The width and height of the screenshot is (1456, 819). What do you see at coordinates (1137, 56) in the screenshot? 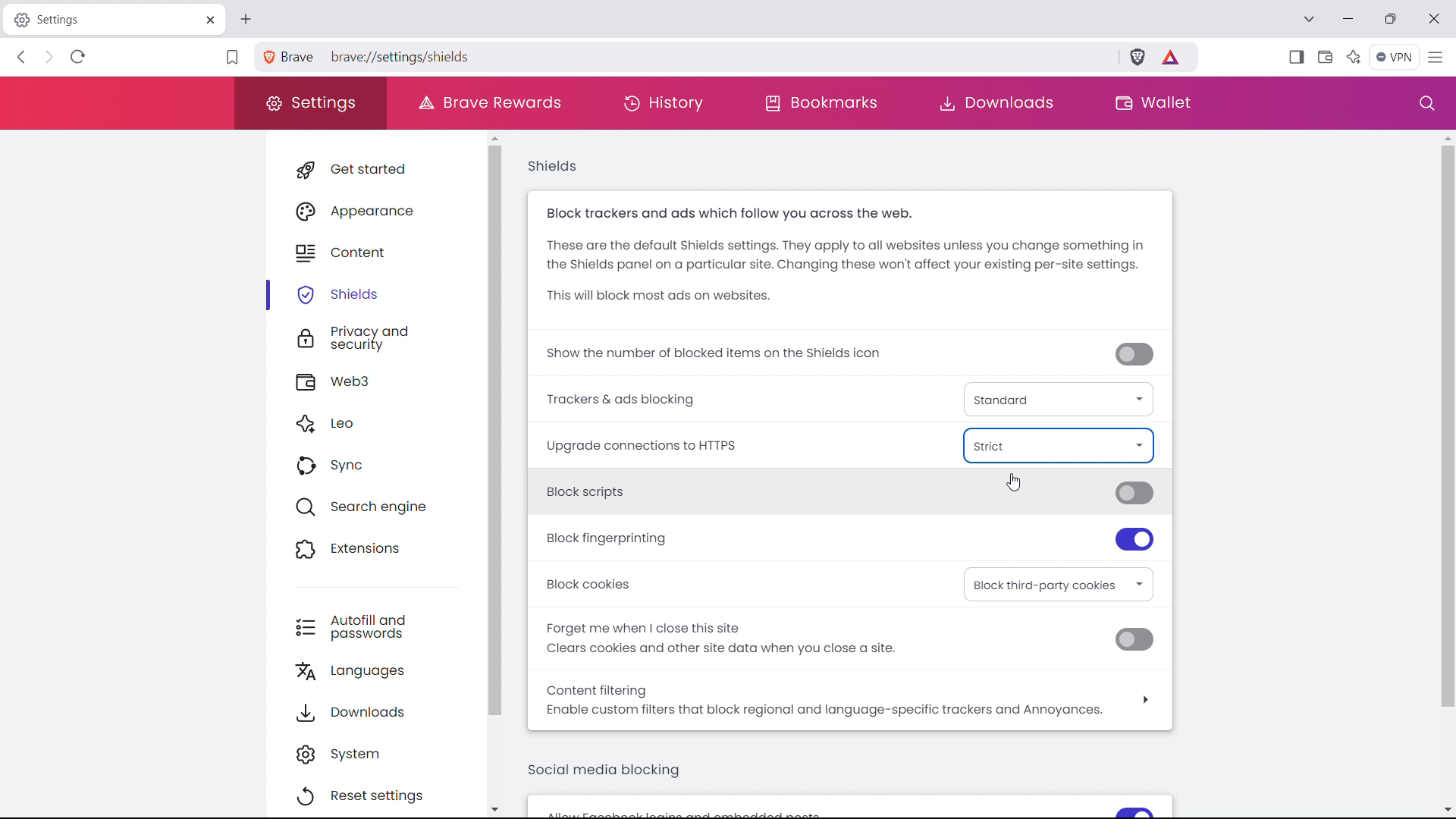
I see `brave shields` at bounding box center [1137, 56].